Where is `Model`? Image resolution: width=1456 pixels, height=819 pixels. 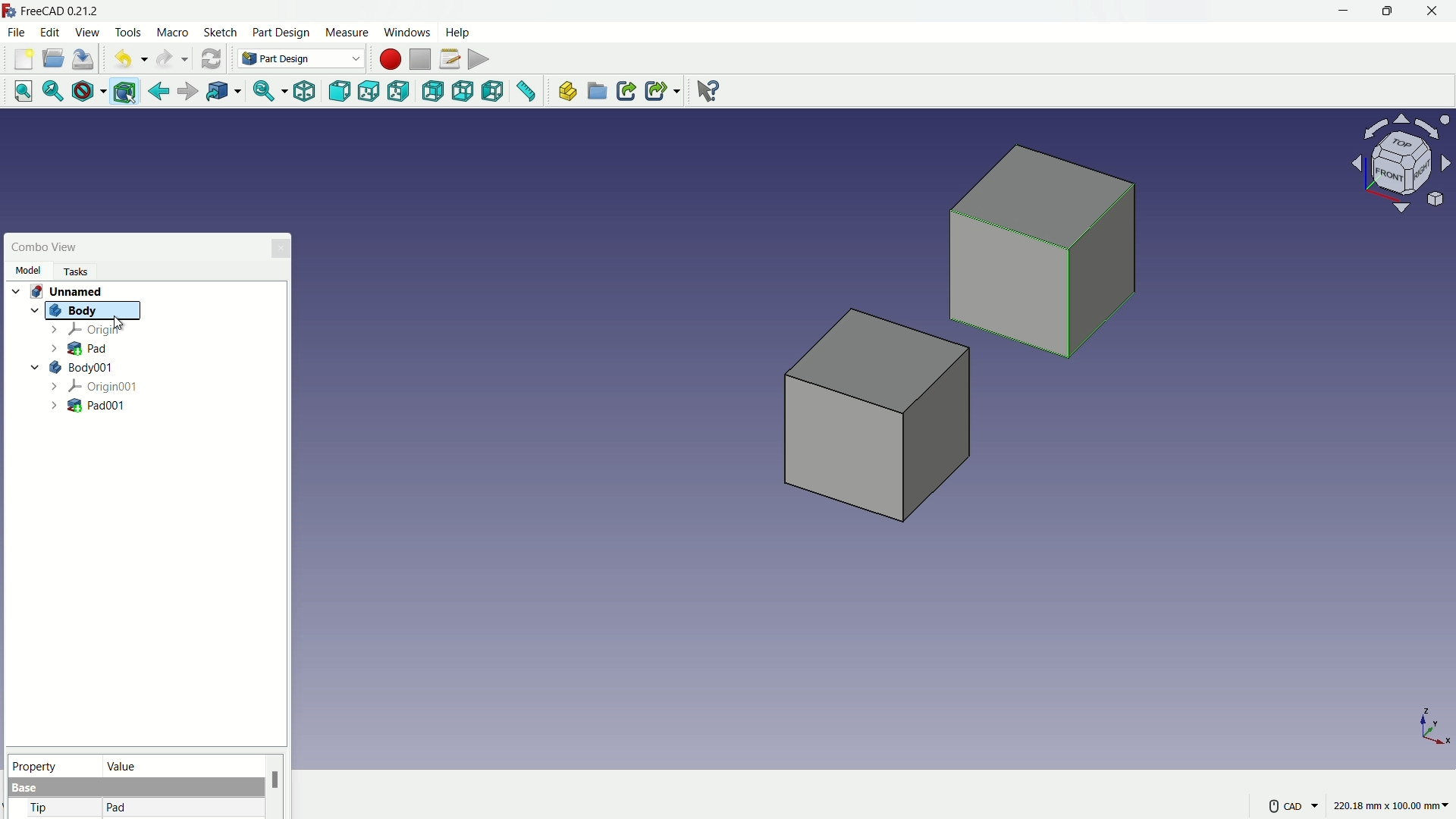
Model is located at coordinates (27, 270).